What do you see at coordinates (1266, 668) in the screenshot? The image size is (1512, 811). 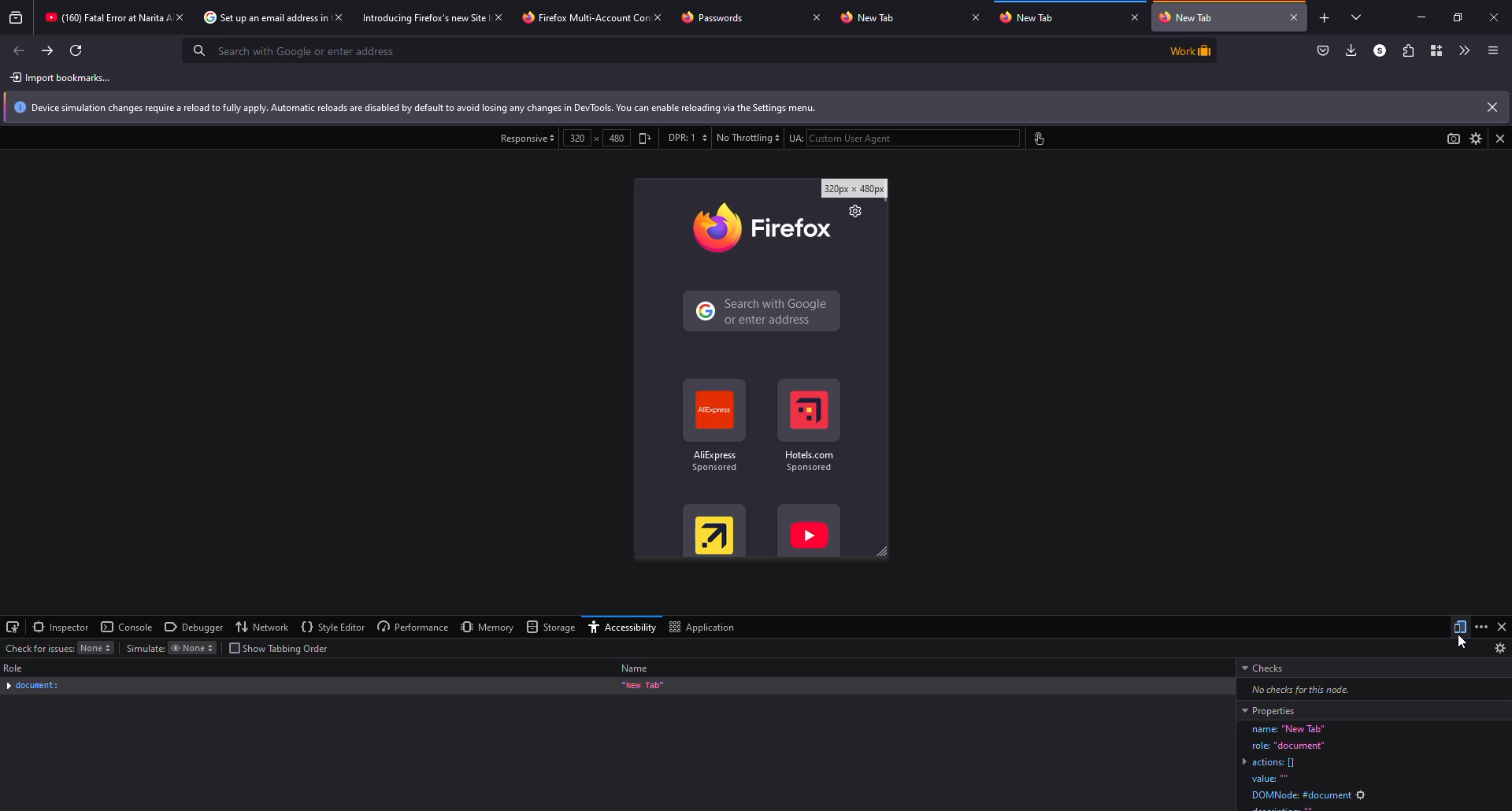 I see `checks` at bounding box center [1266, 668].